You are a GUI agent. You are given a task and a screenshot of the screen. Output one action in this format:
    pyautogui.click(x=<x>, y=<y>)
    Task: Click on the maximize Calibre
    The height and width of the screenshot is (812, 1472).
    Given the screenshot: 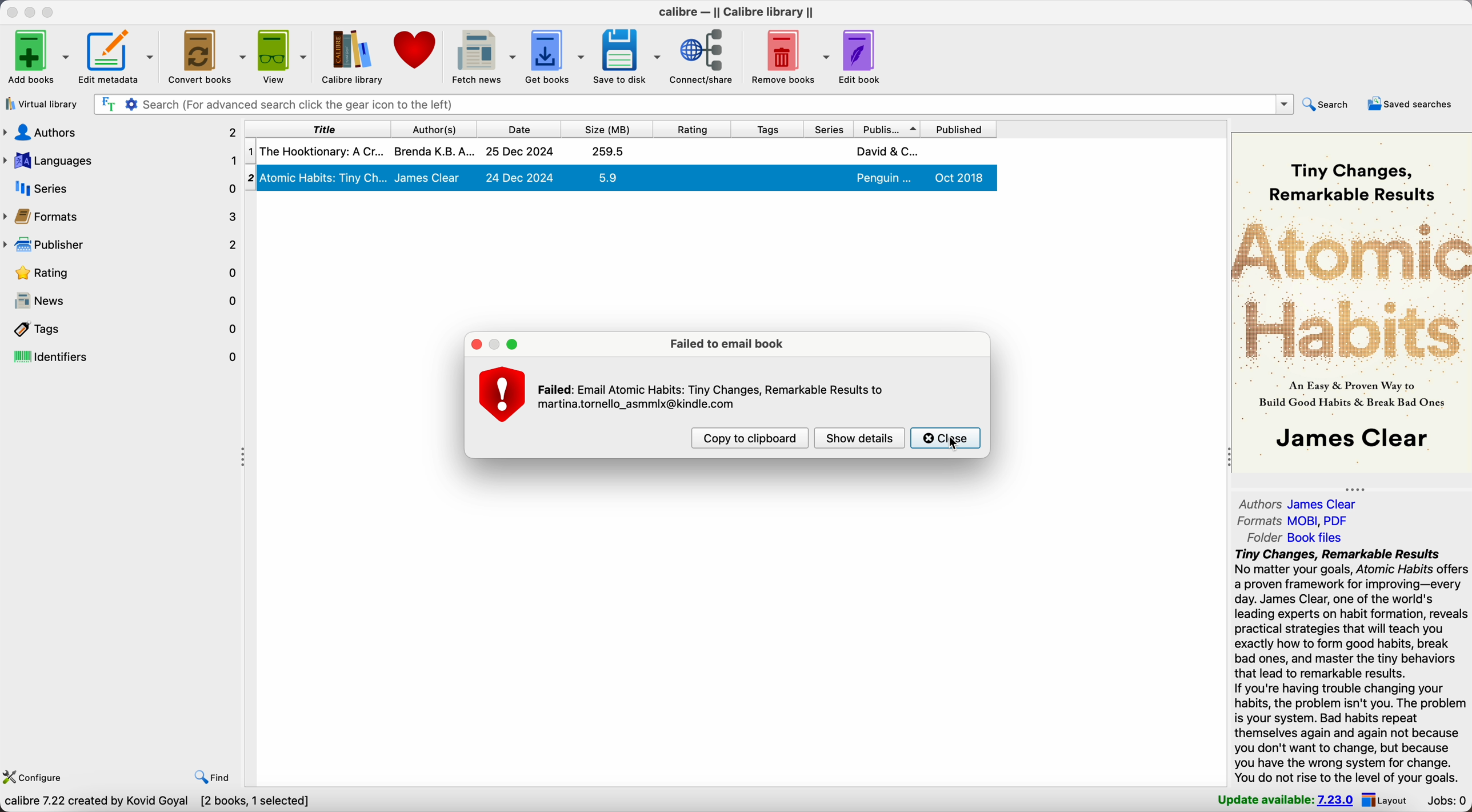 What is the action you would take?
    pyautogui.click(x=51, y=11)
    